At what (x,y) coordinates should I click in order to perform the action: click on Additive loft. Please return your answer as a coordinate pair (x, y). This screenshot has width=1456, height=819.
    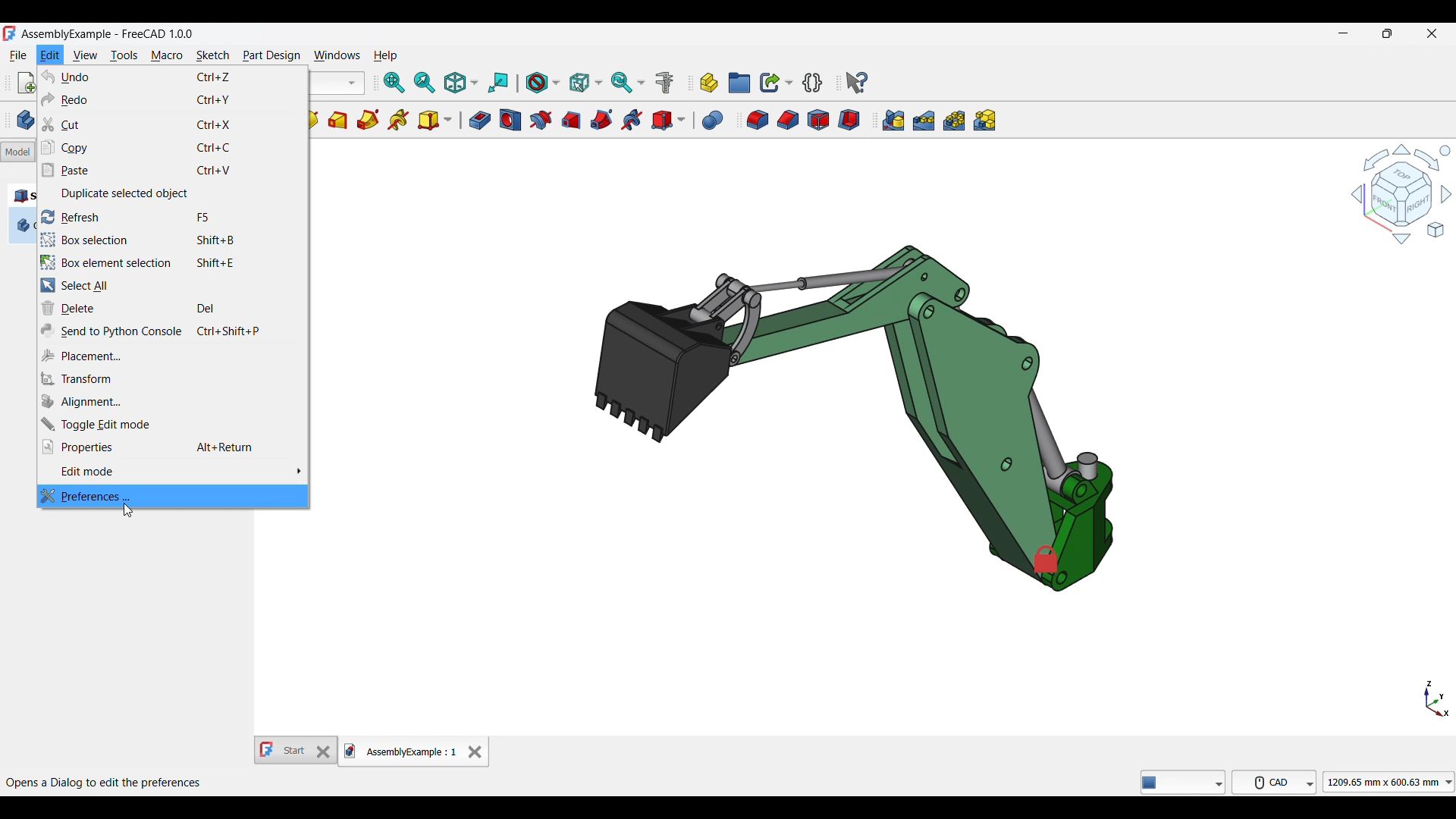
    Looking at the image, I should click on (337, 121).